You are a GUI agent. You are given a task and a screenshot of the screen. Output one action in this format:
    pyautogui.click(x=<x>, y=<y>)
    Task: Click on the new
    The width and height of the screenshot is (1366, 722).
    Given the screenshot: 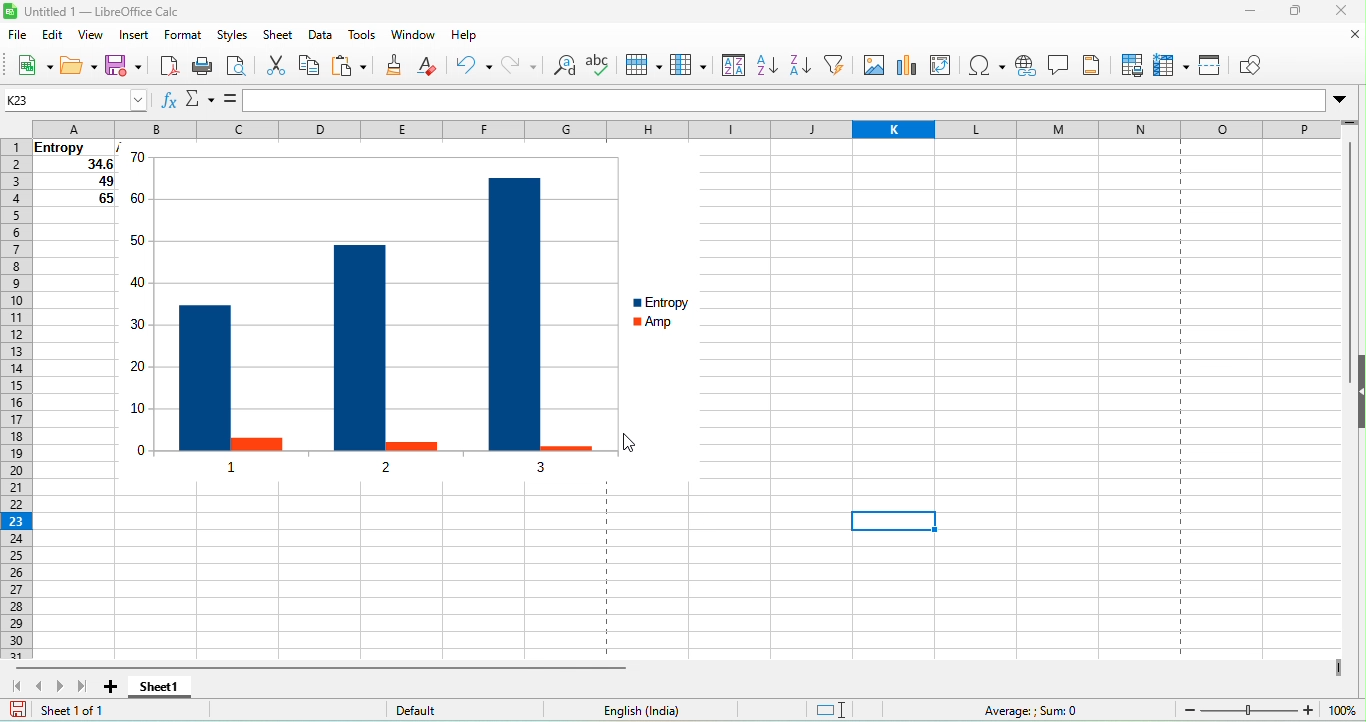 What is the action you would take?
    pyautogui.click(x=35, y=65)
    